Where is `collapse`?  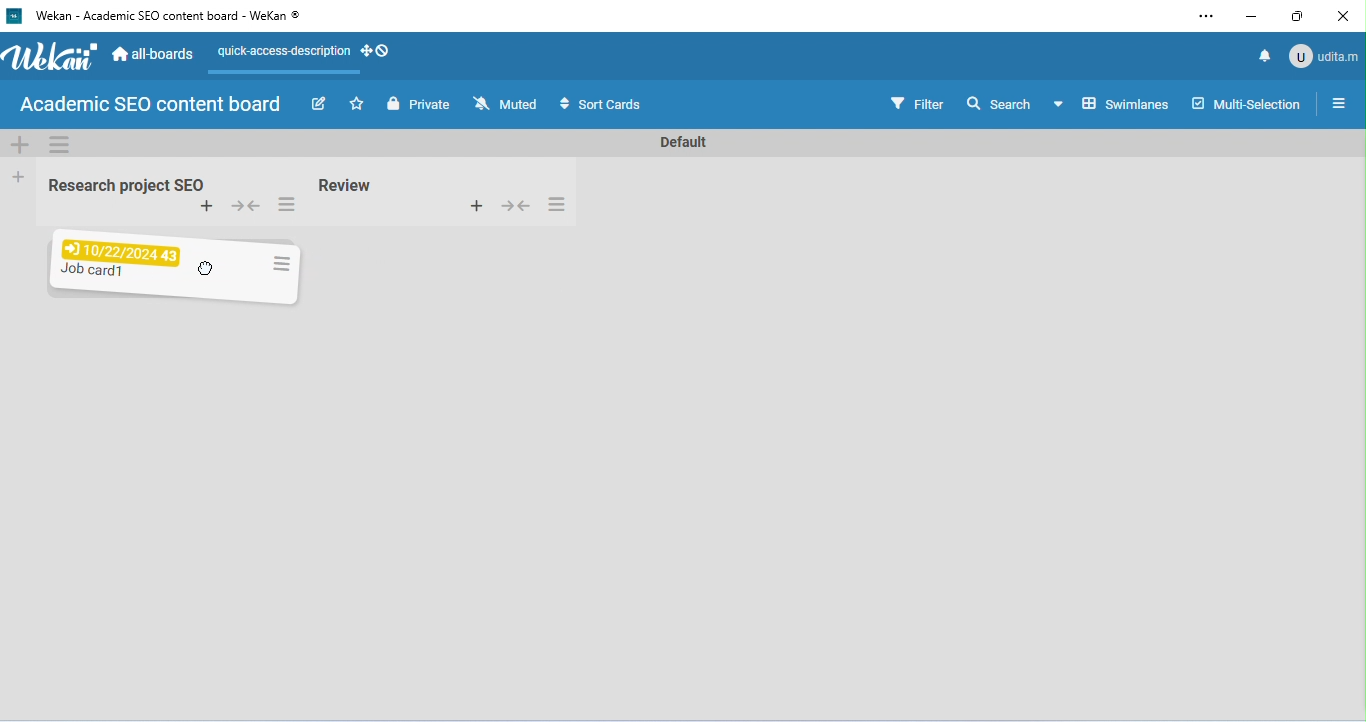
collapse is located at coordinates (515, 204).